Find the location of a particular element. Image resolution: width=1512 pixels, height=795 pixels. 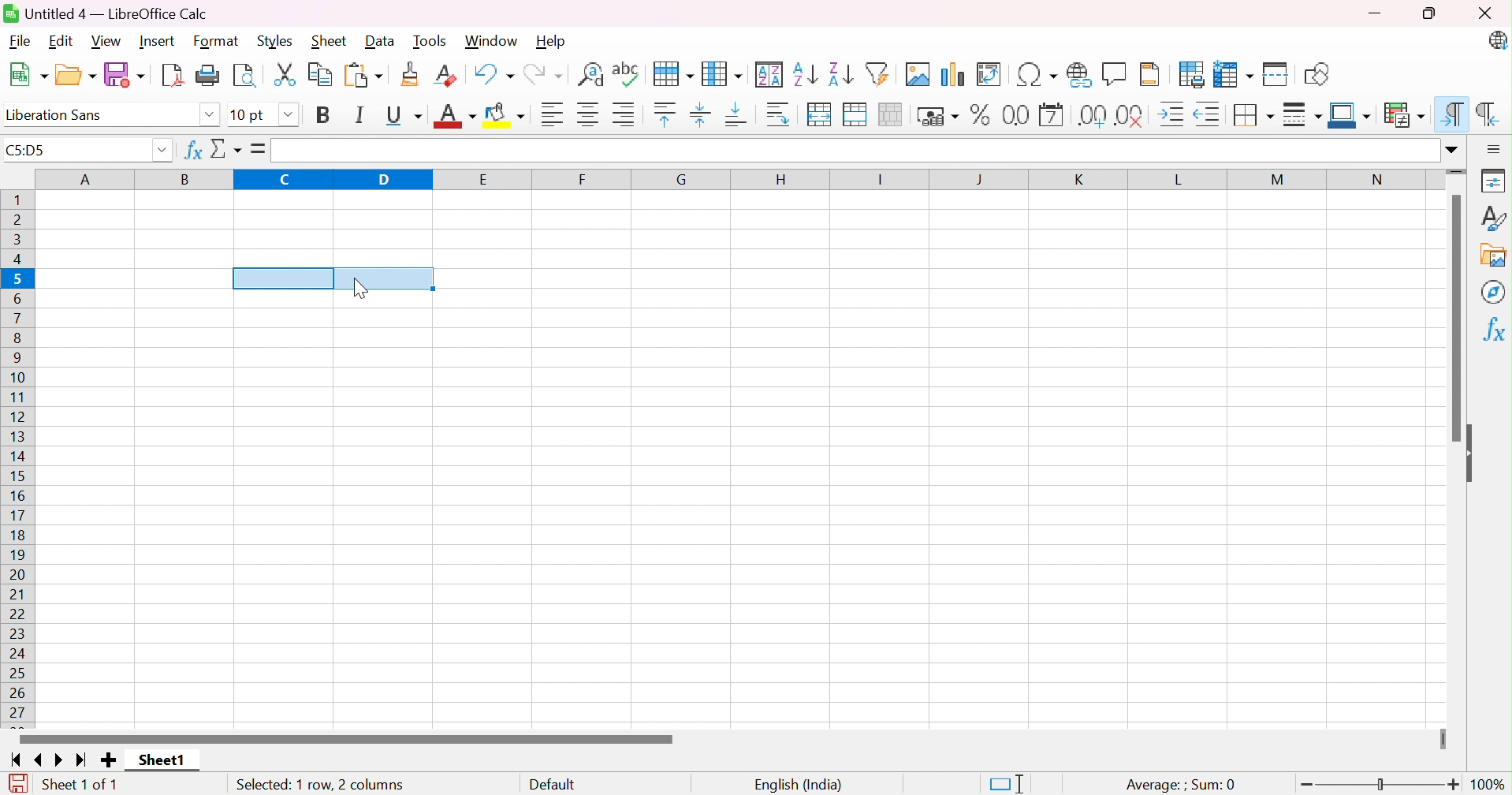

New is located at coordinates (29, 73).